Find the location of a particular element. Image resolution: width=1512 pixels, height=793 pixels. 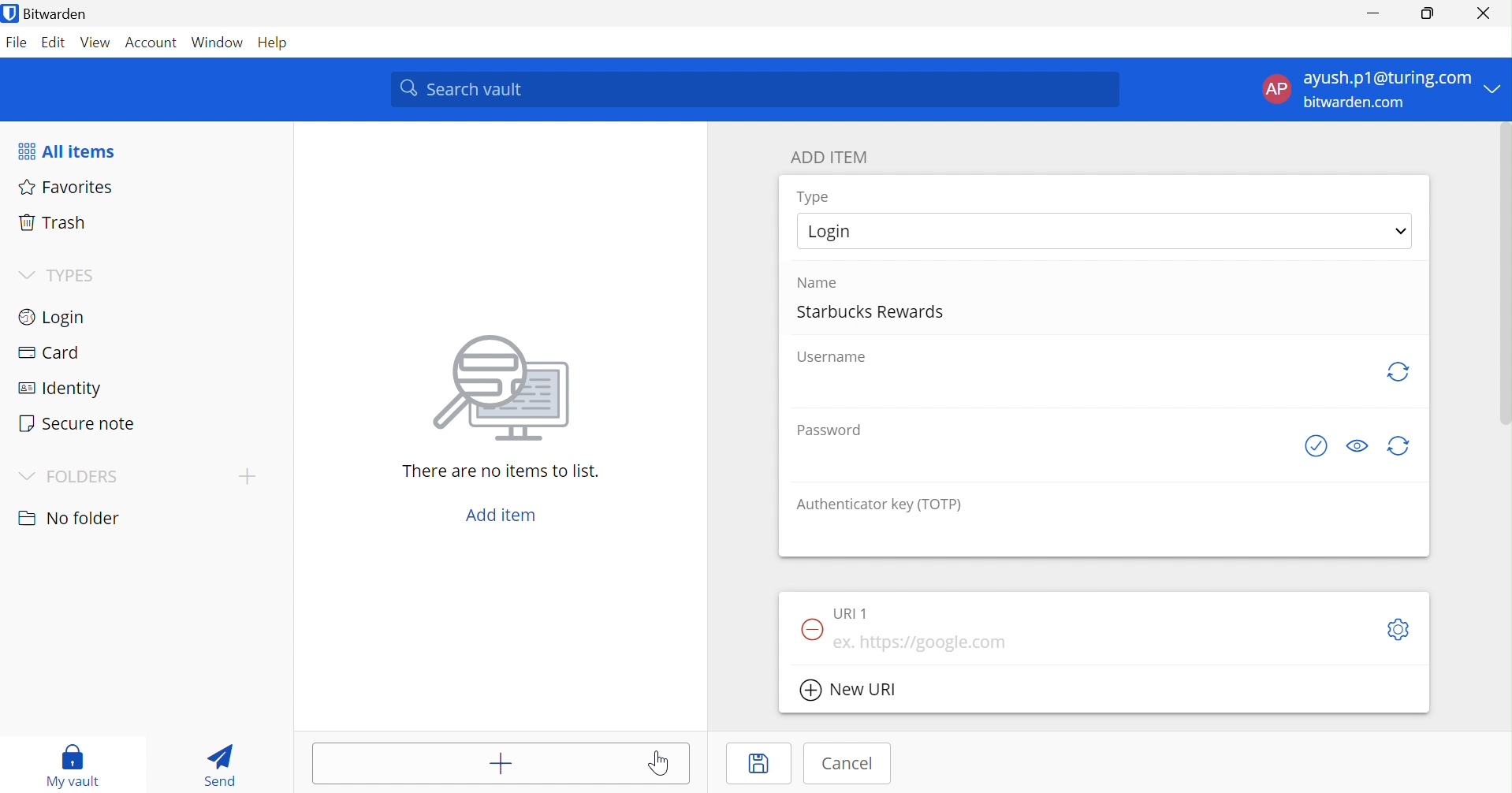

Authenticator key (TOTP) is located at coordinates (878, 505).